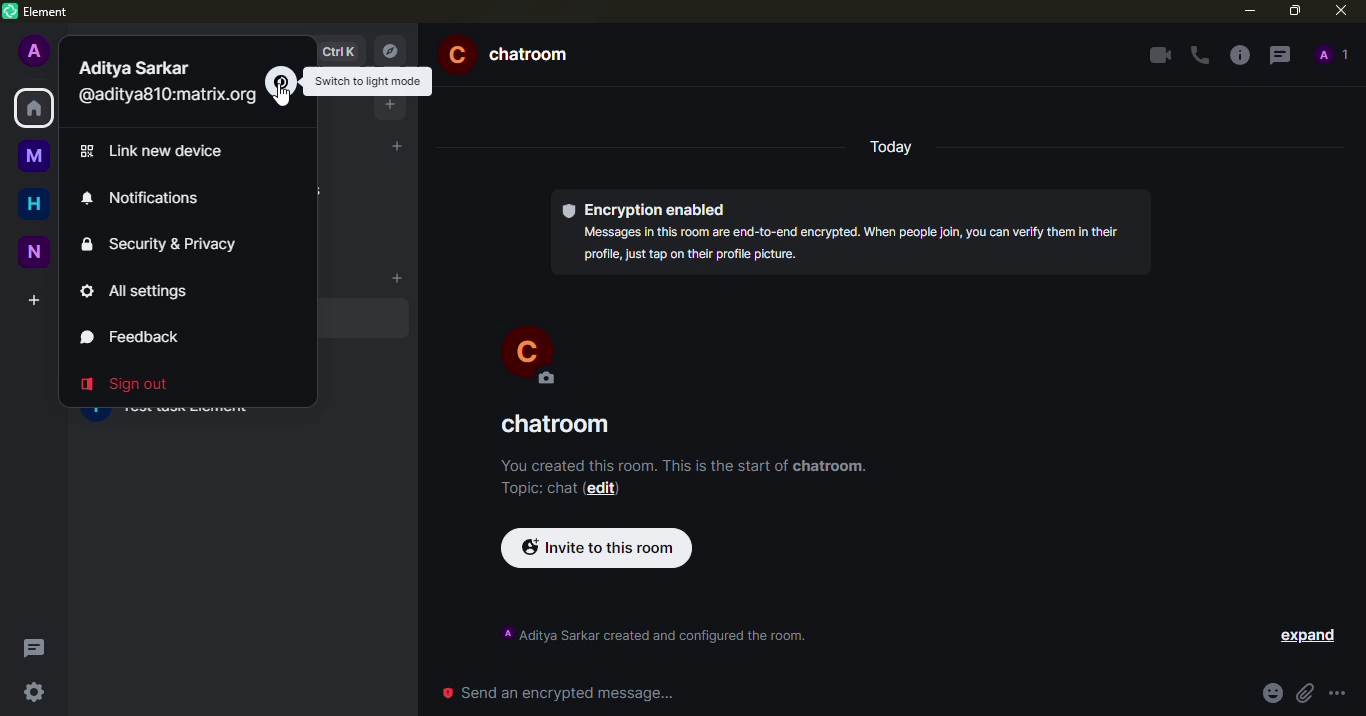 The image size is (1366, 716). Describe the element at coordinates (33, 151) in the screenshot. I see `myspace` at that location.